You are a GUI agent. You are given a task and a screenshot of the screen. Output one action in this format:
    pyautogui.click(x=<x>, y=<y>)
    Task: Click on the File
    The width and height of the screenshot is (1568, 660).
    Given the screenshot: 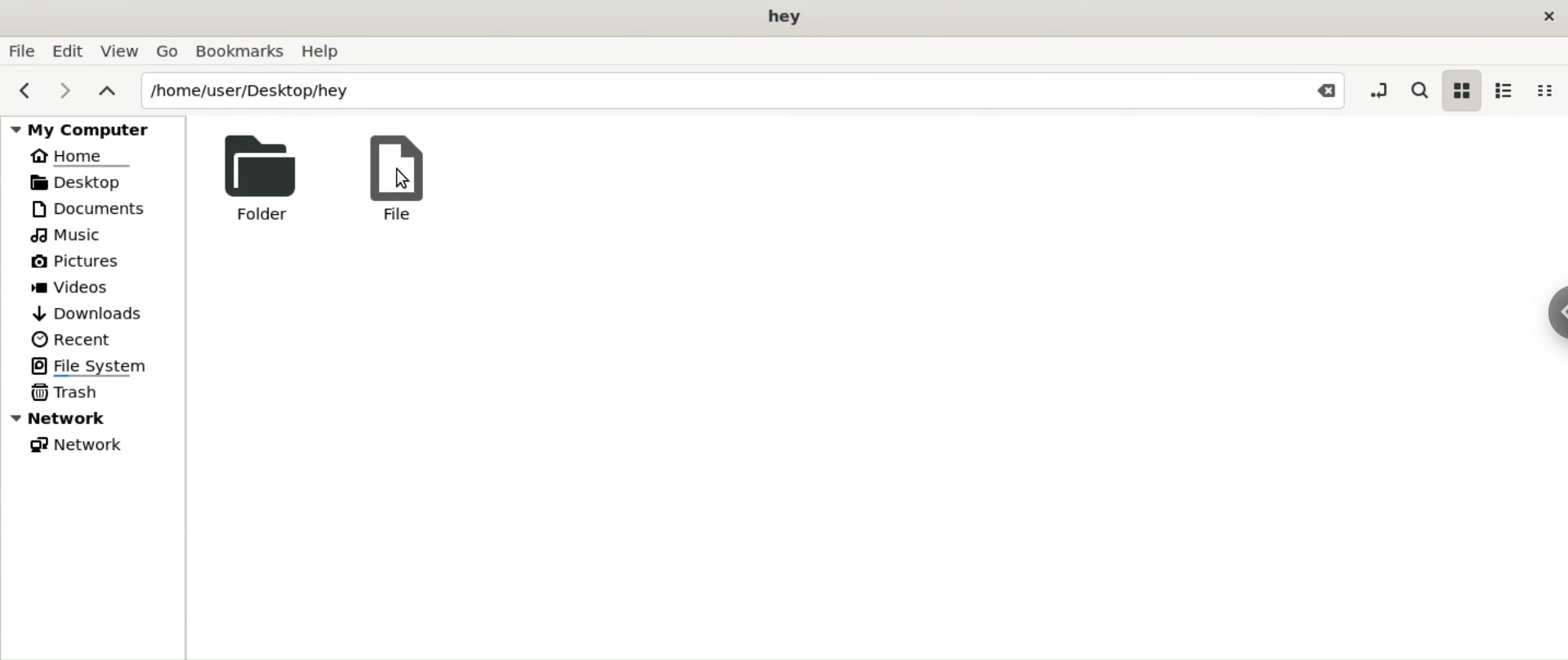 What is the action you would take?
    pyautogui.click(x=403, y=178)
    